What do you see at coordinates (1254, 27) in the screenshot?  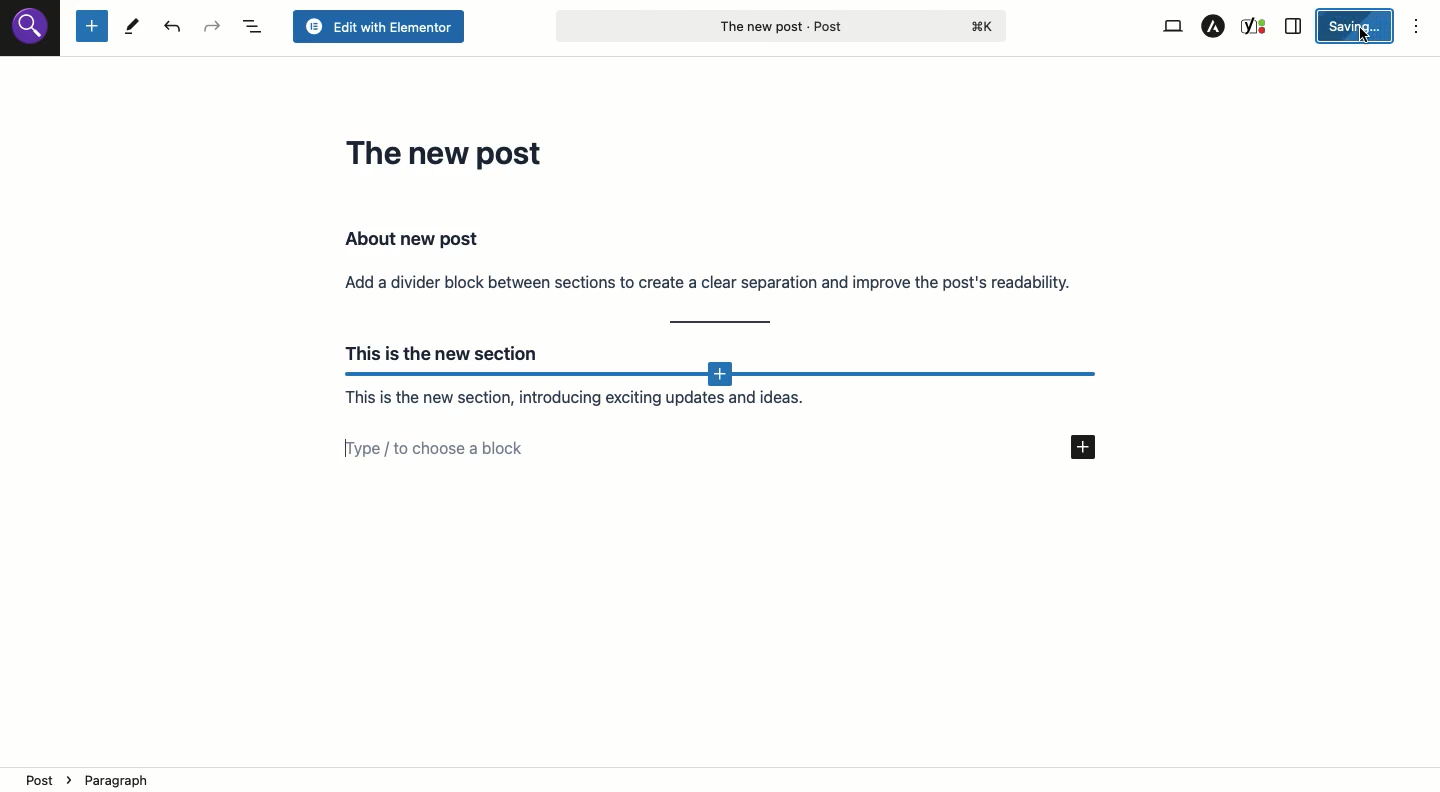 I see `Yoast` at bounding box center [1254, 27].